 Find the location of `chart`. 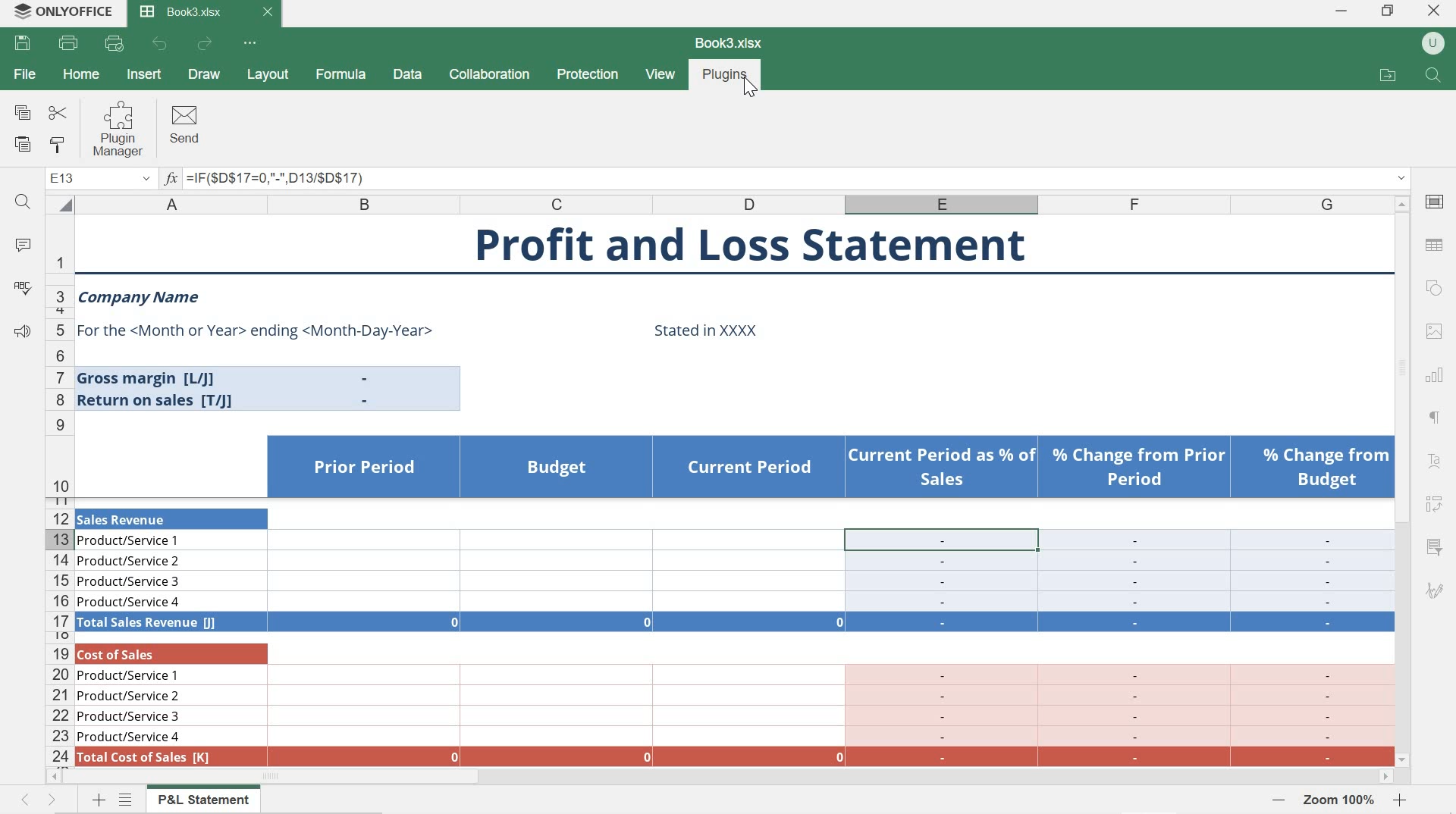

chart is located at coordinates (1436, 374).